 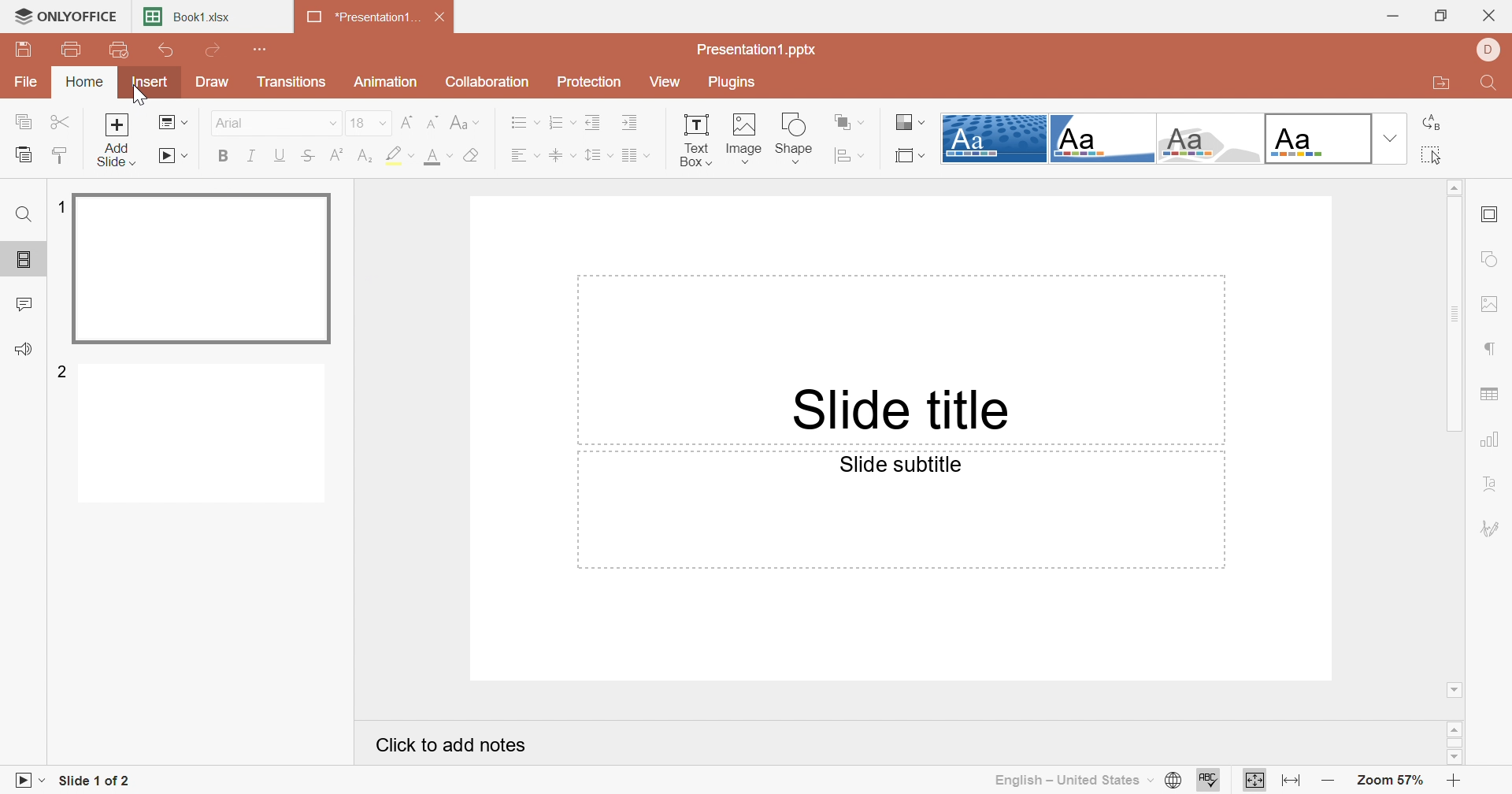 I want to click on Arrange shape, so click(x=847, y=121).